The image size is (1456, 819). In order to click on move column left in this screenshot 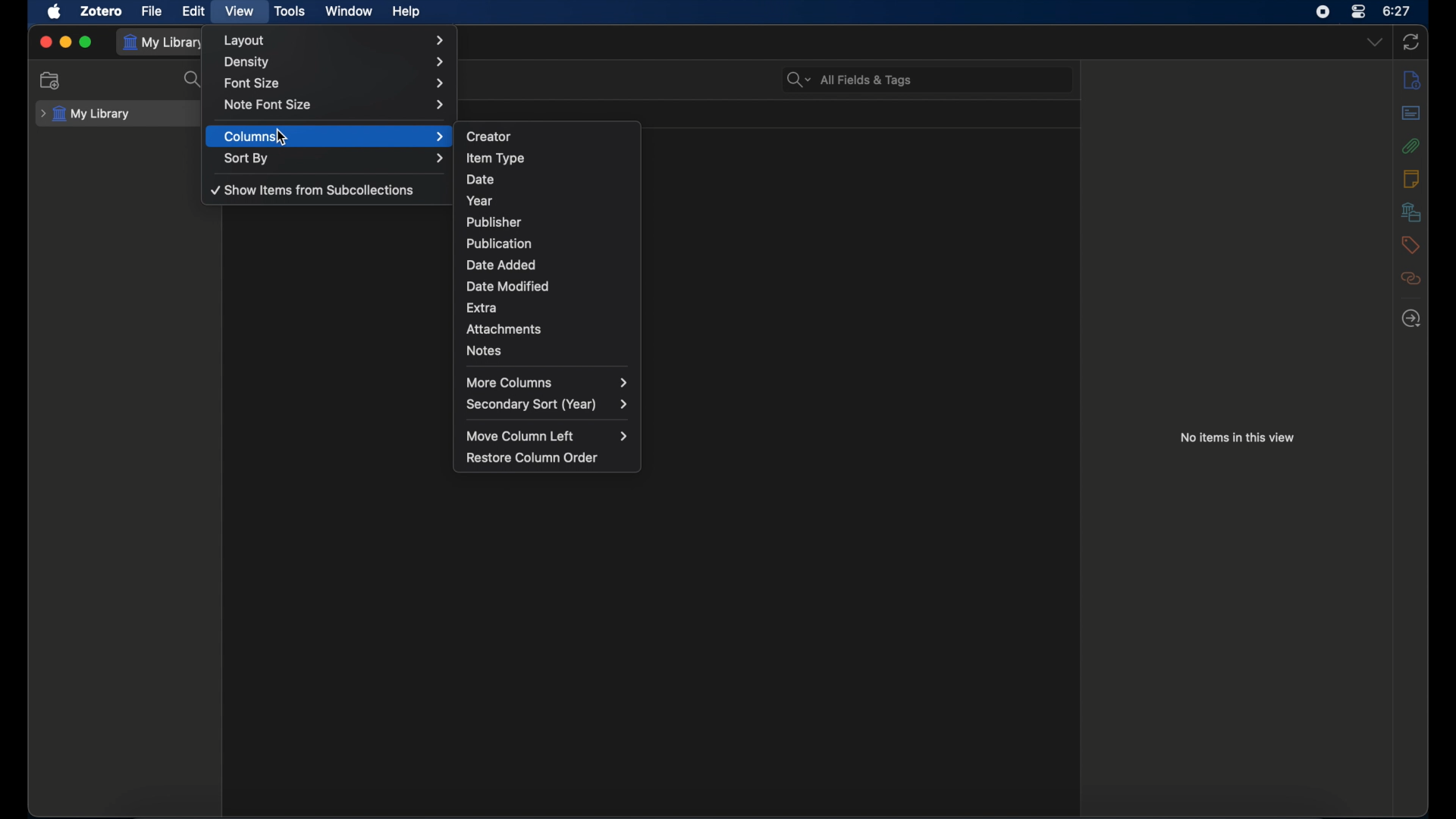, I will do `click(547, 436)`.